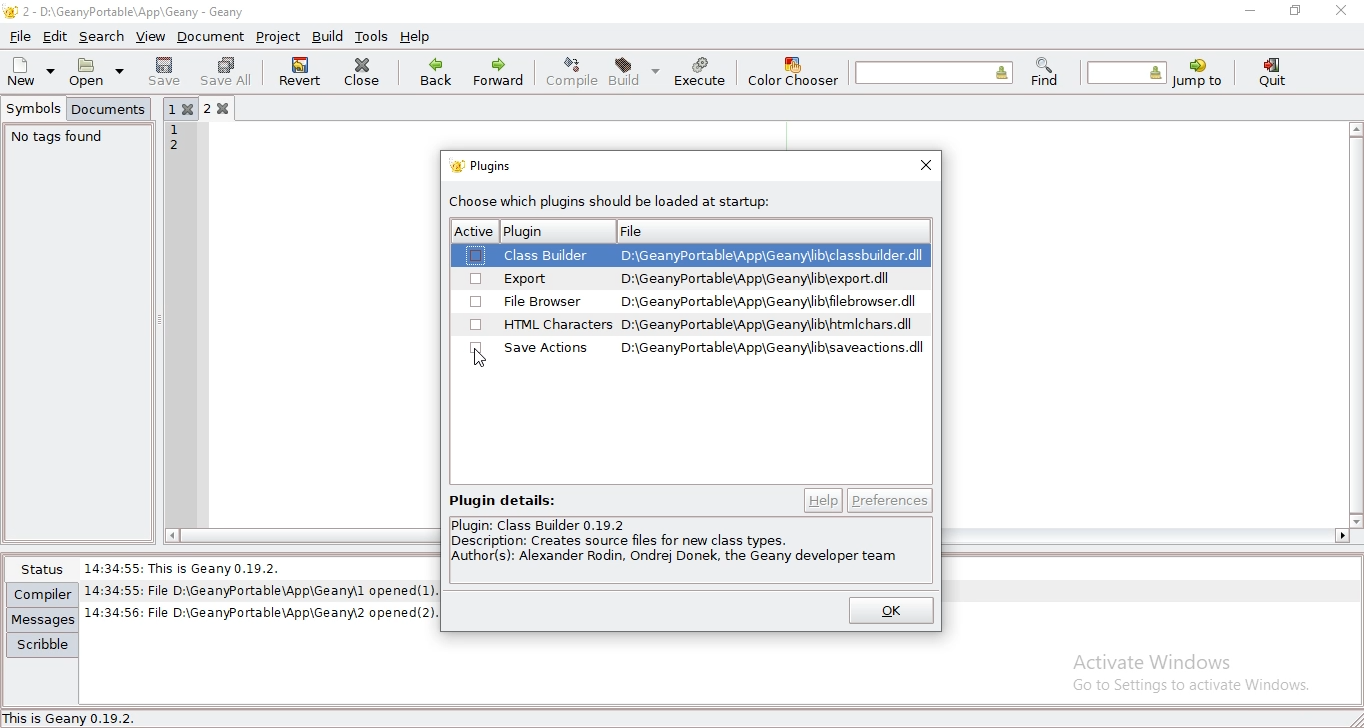  Describe the element at coordinates (1250, 11) in the screenshot. I see `minimize` at that location.